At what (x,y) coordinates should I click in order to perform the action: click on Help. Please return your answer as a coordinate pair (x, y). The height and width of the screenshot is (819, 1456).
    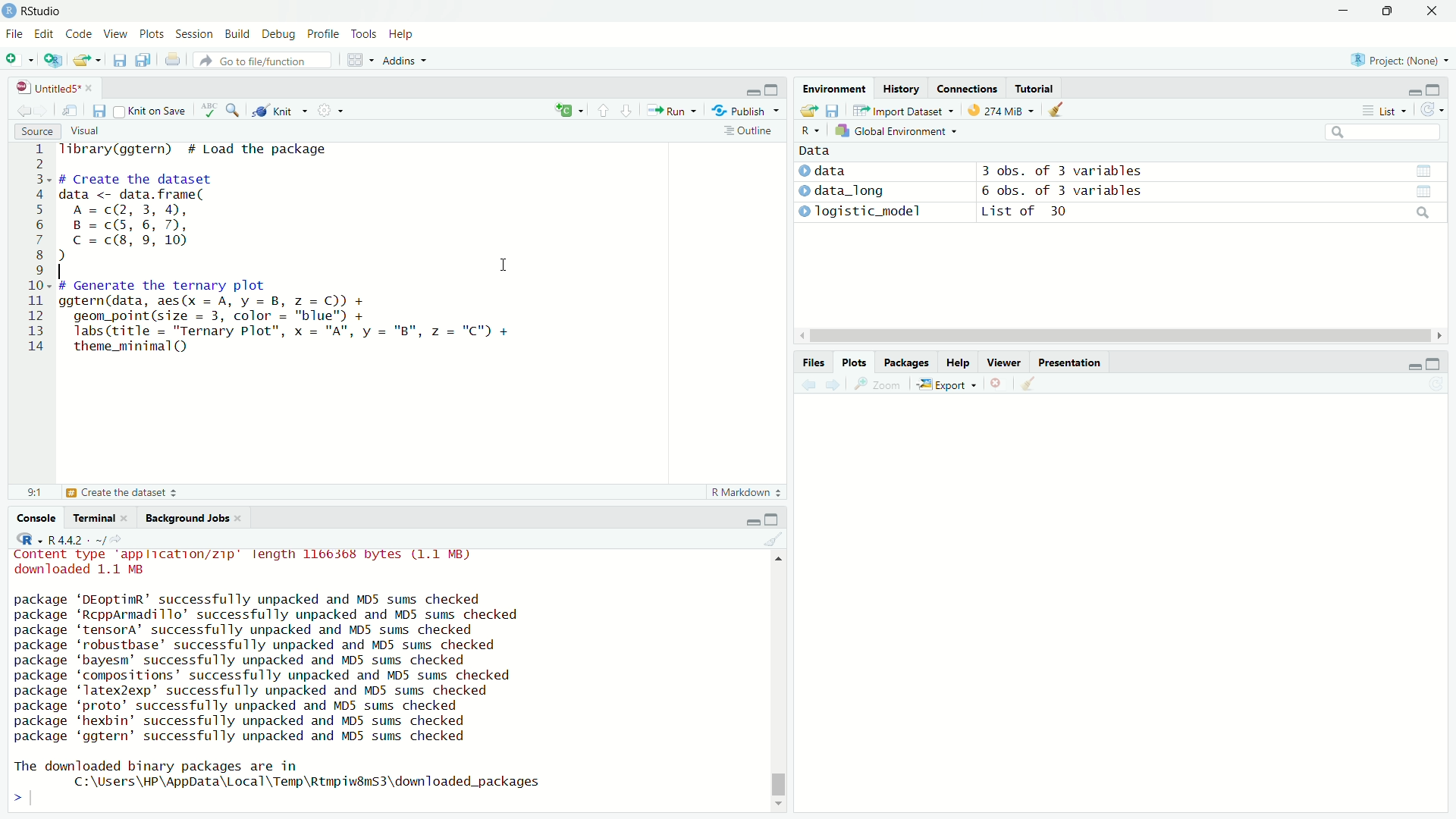
    Looking at the image, I should click on (400, 35).